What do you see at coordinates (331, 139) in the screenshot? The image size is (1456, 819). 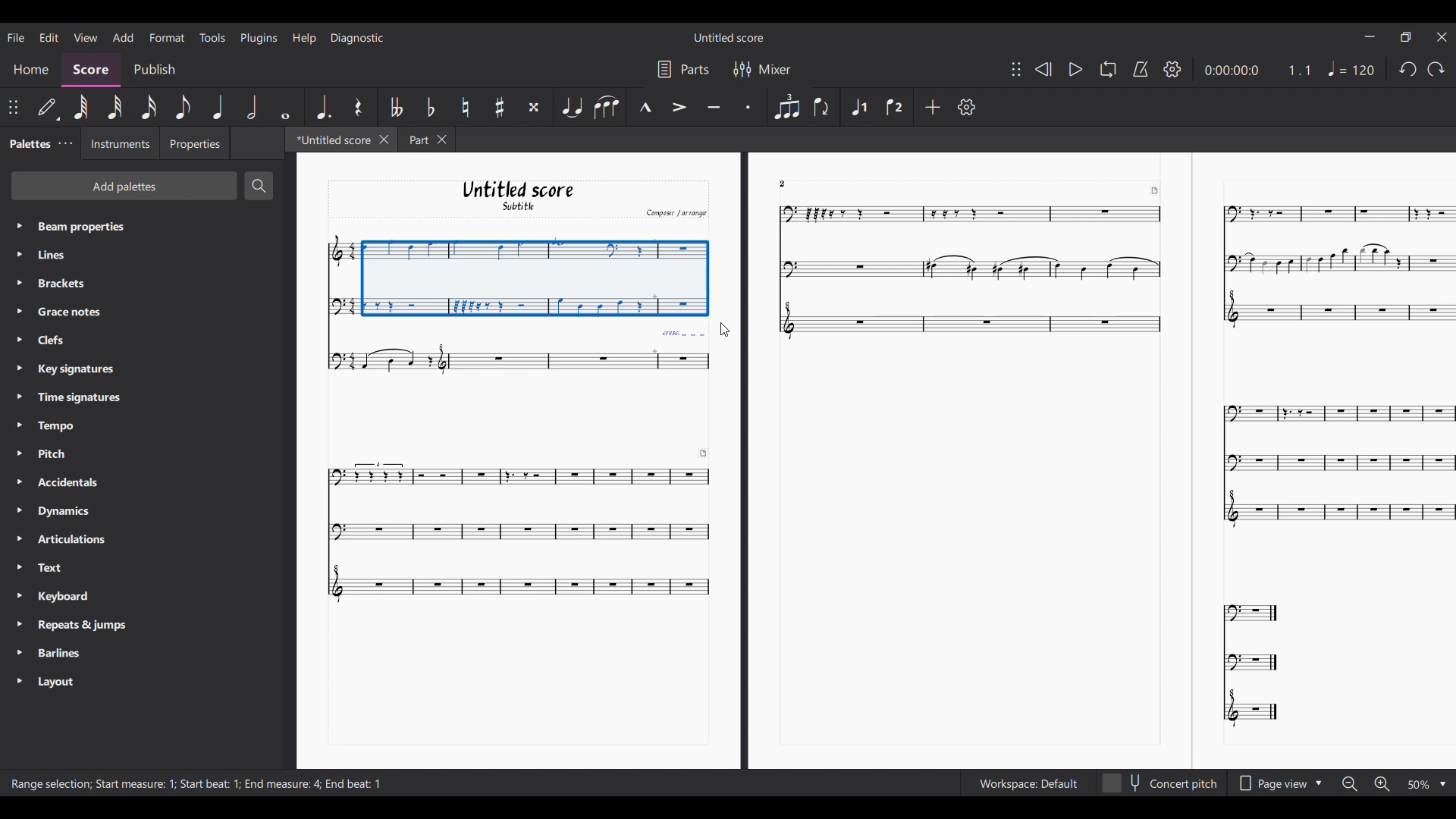 I see `Current tab` at bounding box center [331, 139].